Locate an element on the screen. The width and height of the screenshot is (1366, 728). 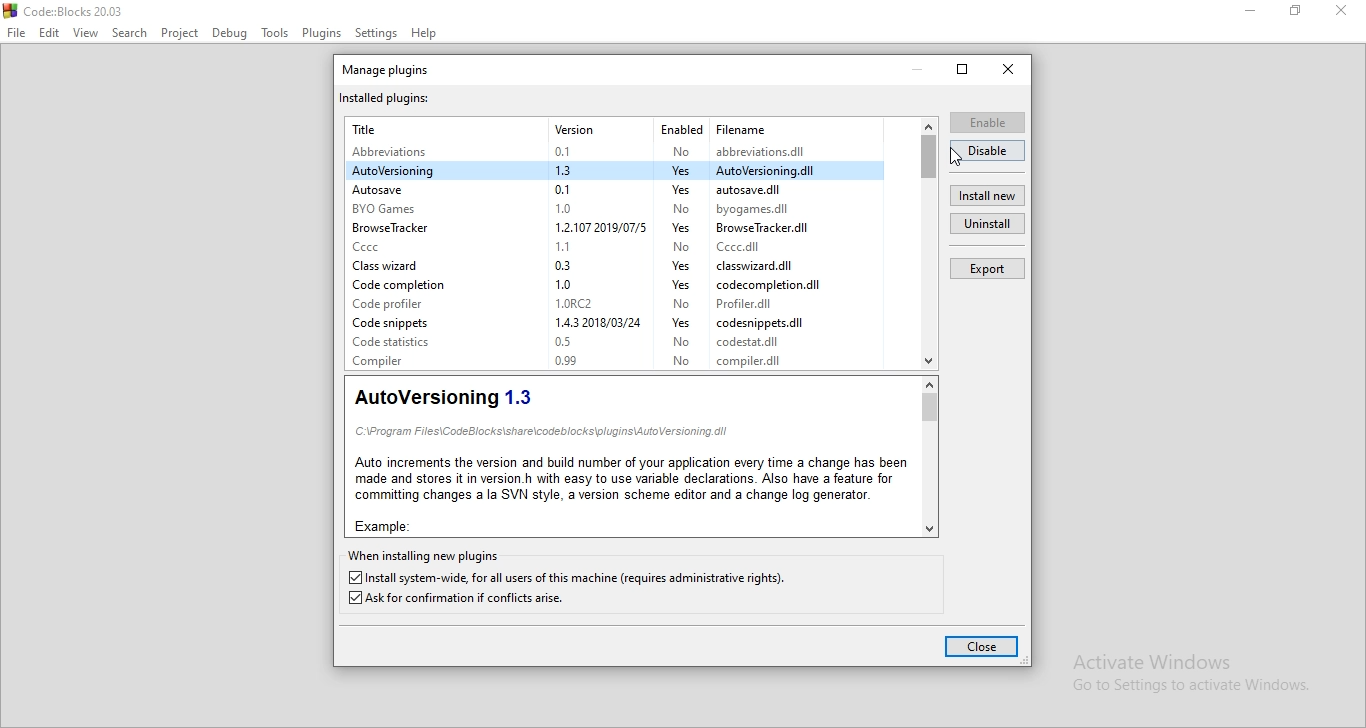
Example: is located at coordinates (389, 522).